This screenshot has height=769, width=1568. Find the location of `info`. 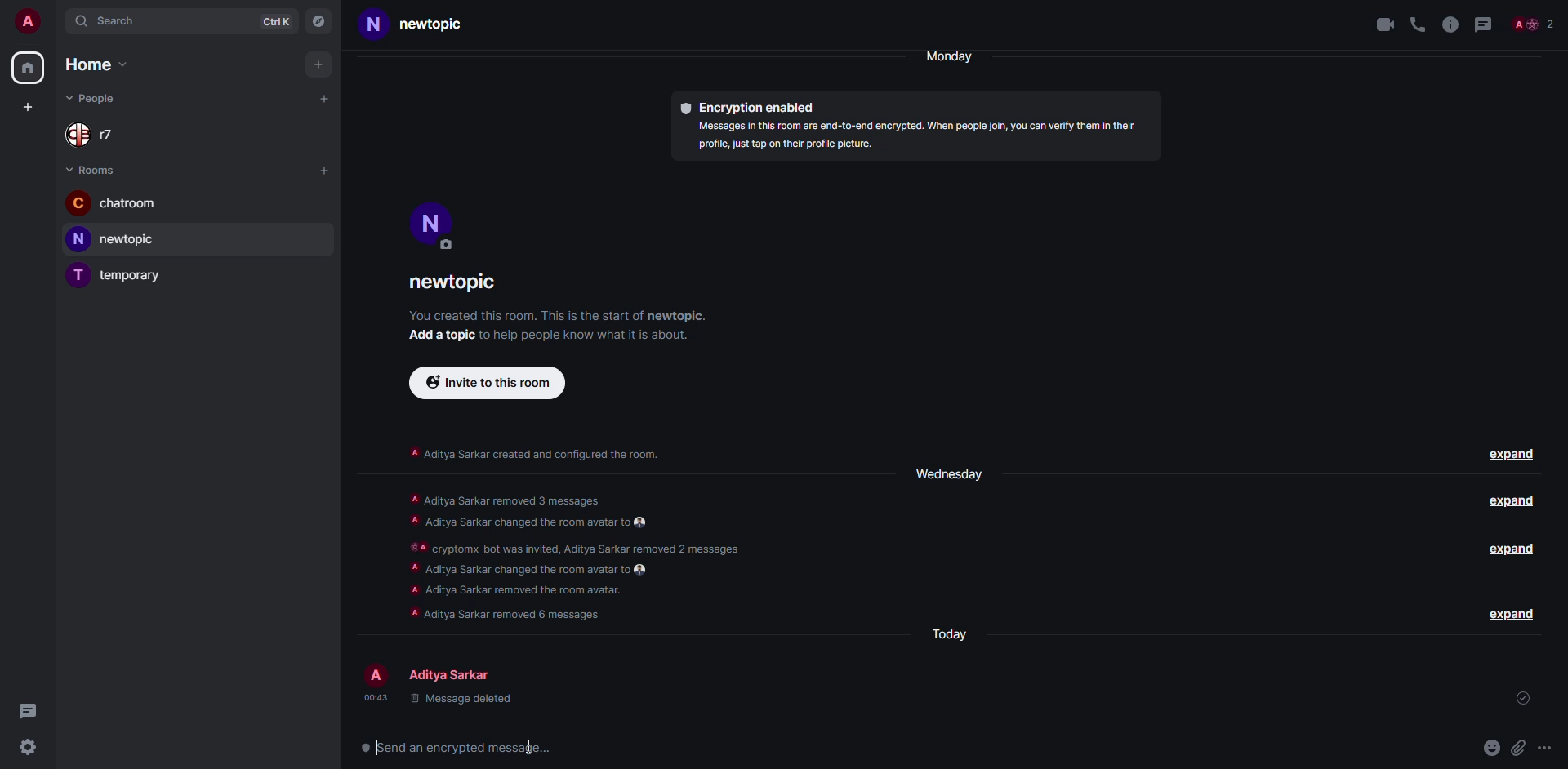

info is located at coordinates (576, 558).